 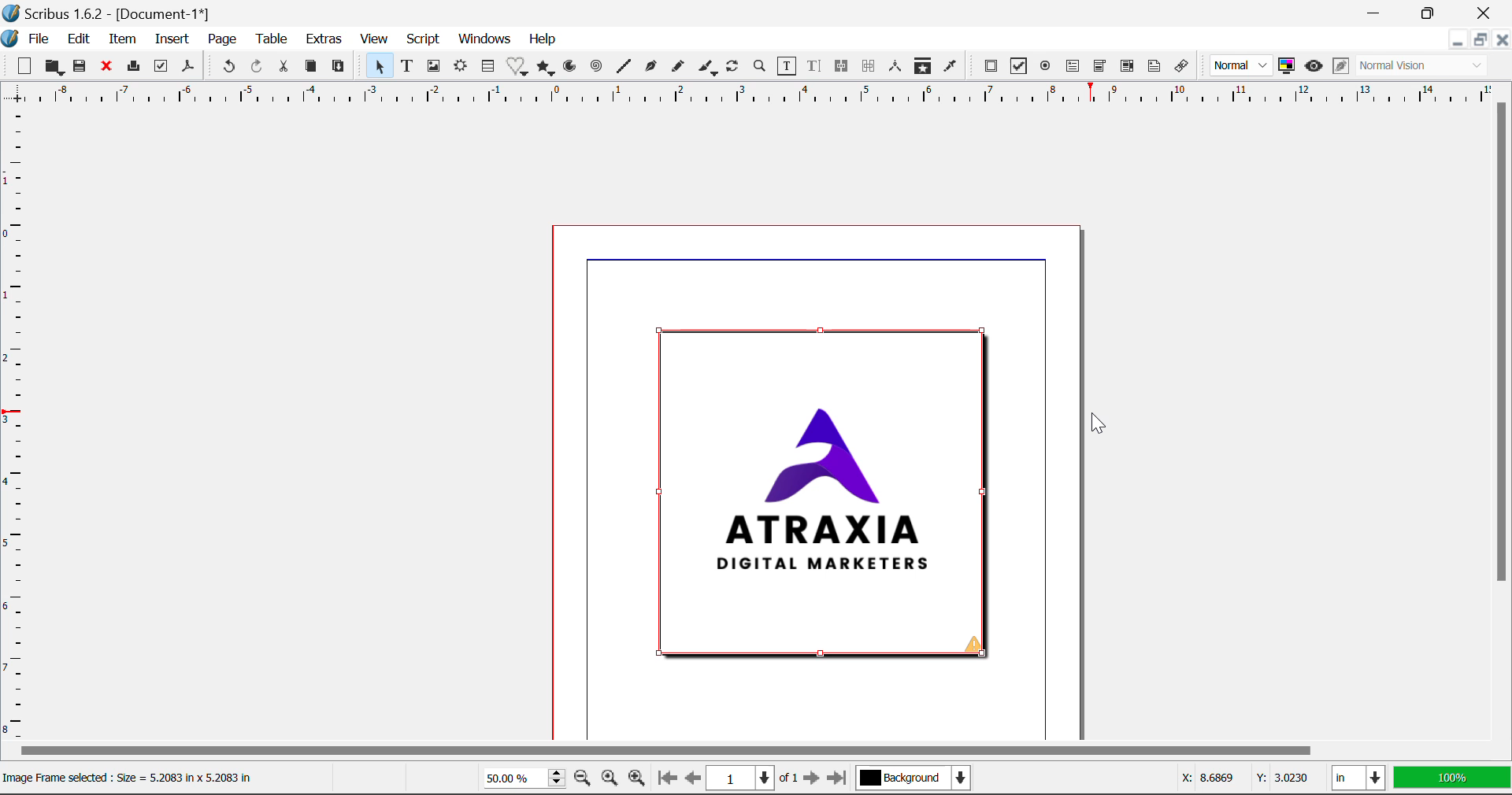 I want to click on Undo, so click(x=226, y=66).